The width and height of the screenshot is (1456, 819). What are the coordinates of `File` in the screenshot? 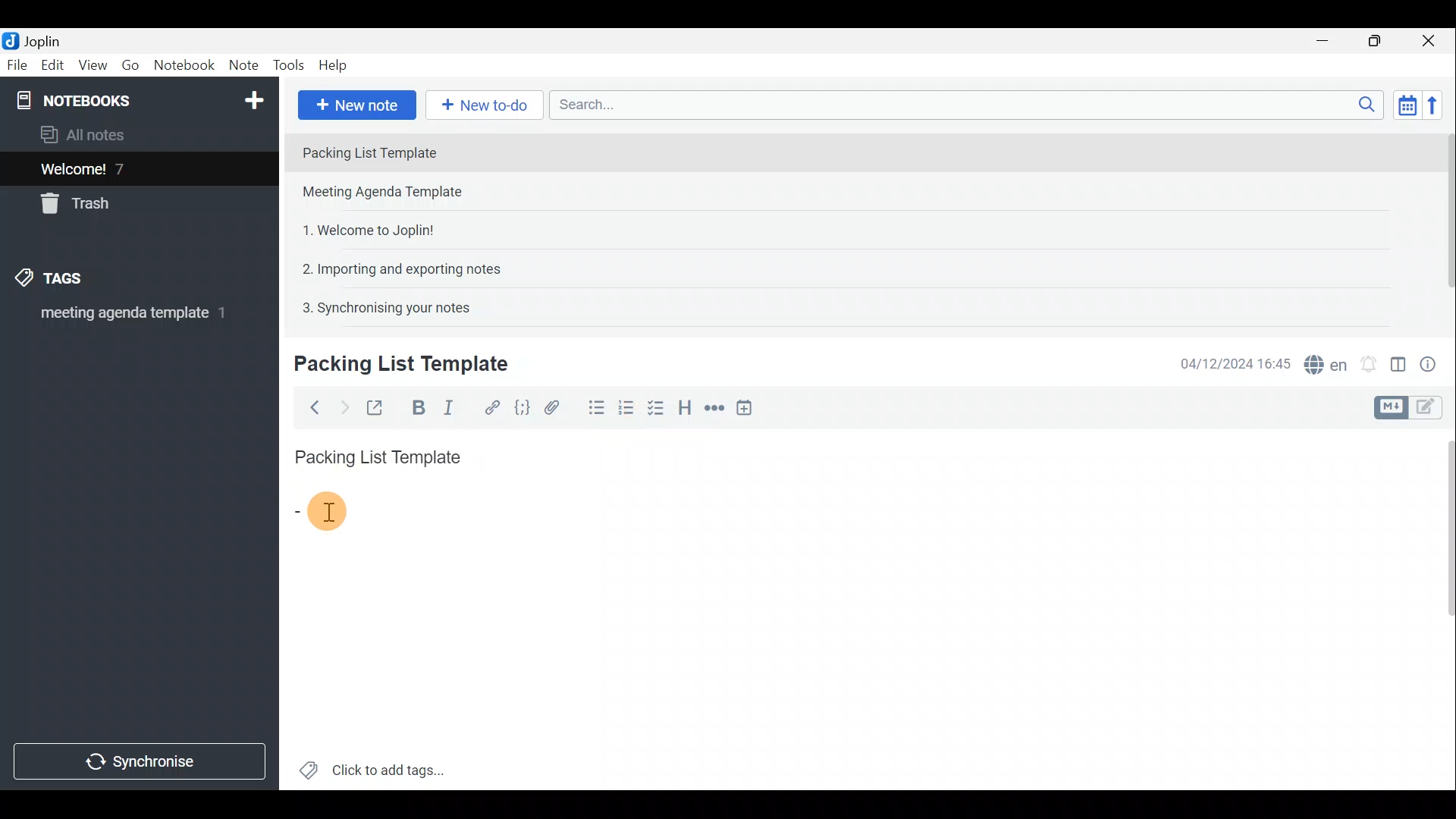 It's located at (15, 64).